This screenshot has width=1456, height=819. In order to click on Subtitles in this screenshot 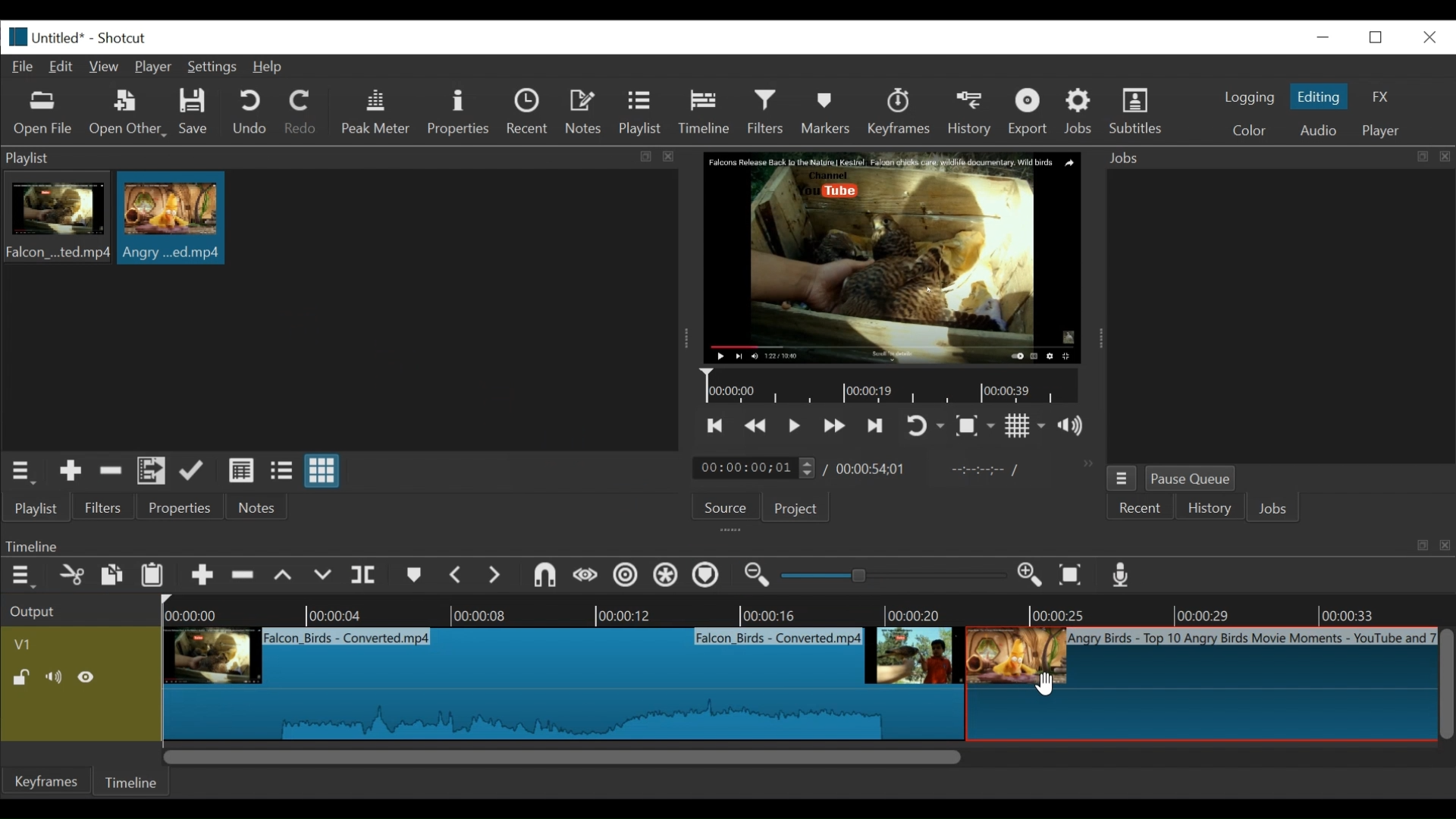, I will do `click(1136, 111)`.